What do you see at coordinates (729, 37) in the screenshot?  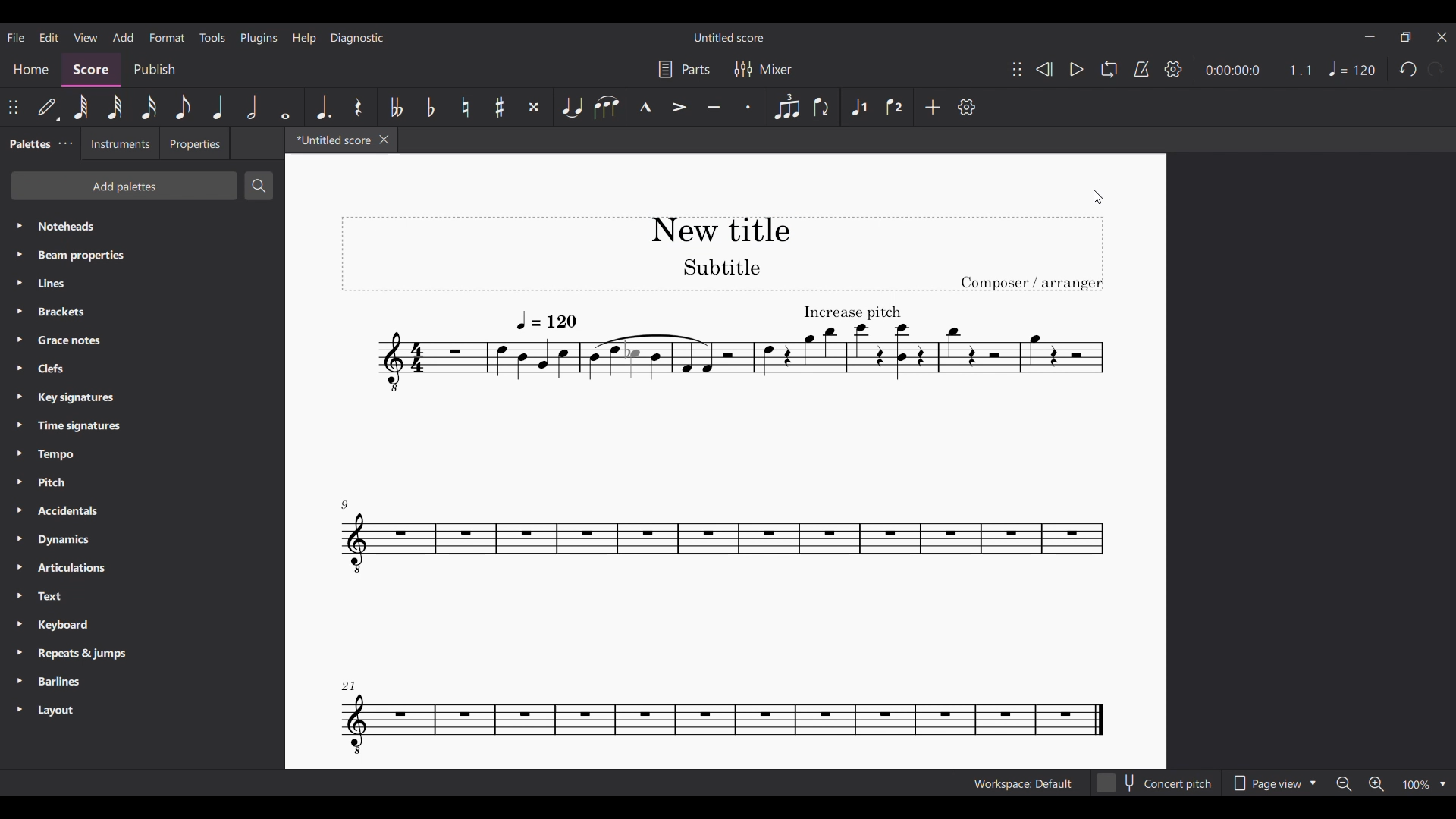 I see `Untitled score` at bounding box center [729, 37].